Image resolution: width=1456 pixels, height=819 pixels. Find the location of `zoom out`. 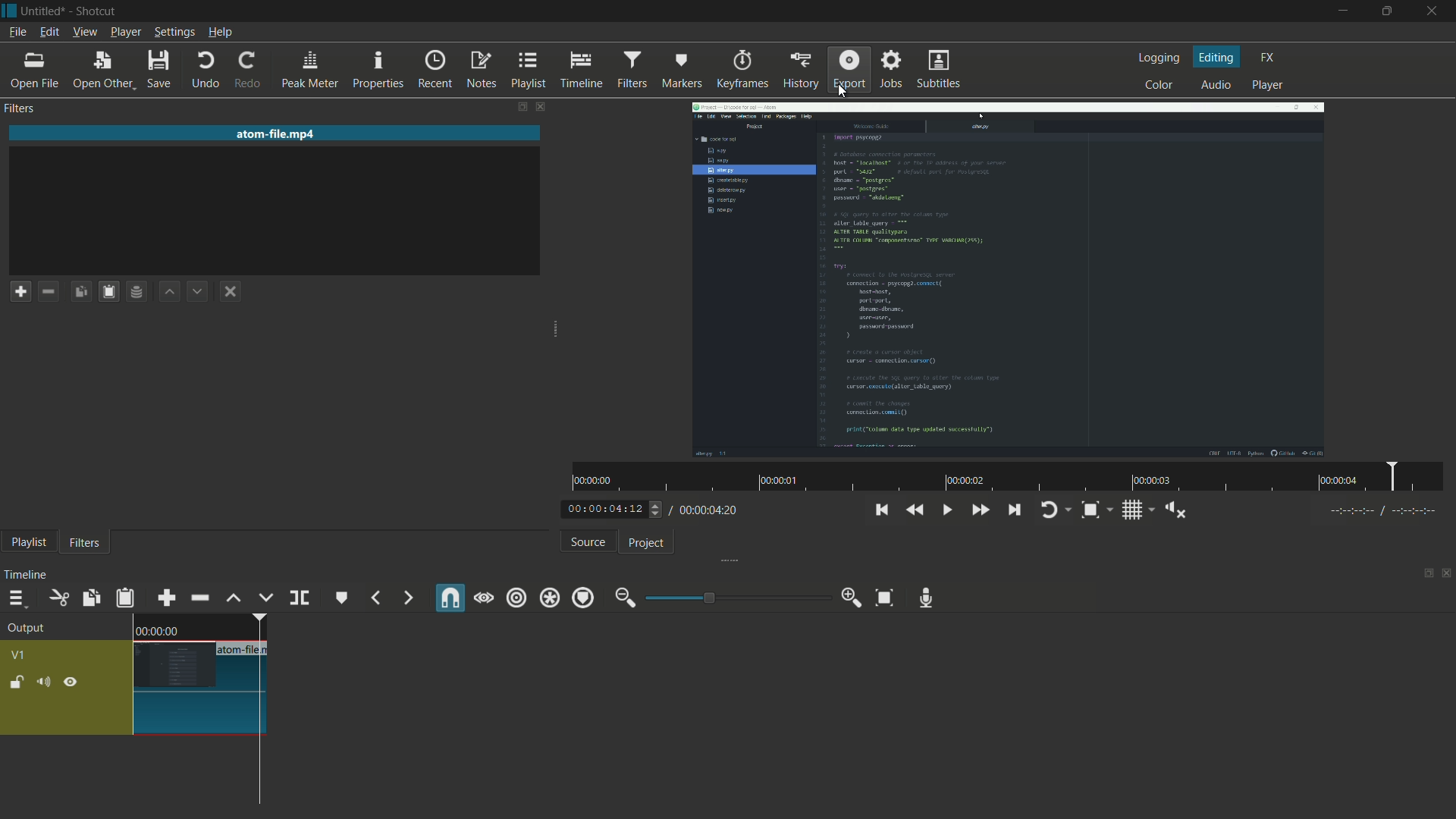

zoom out is located at coordinates (623, 598).